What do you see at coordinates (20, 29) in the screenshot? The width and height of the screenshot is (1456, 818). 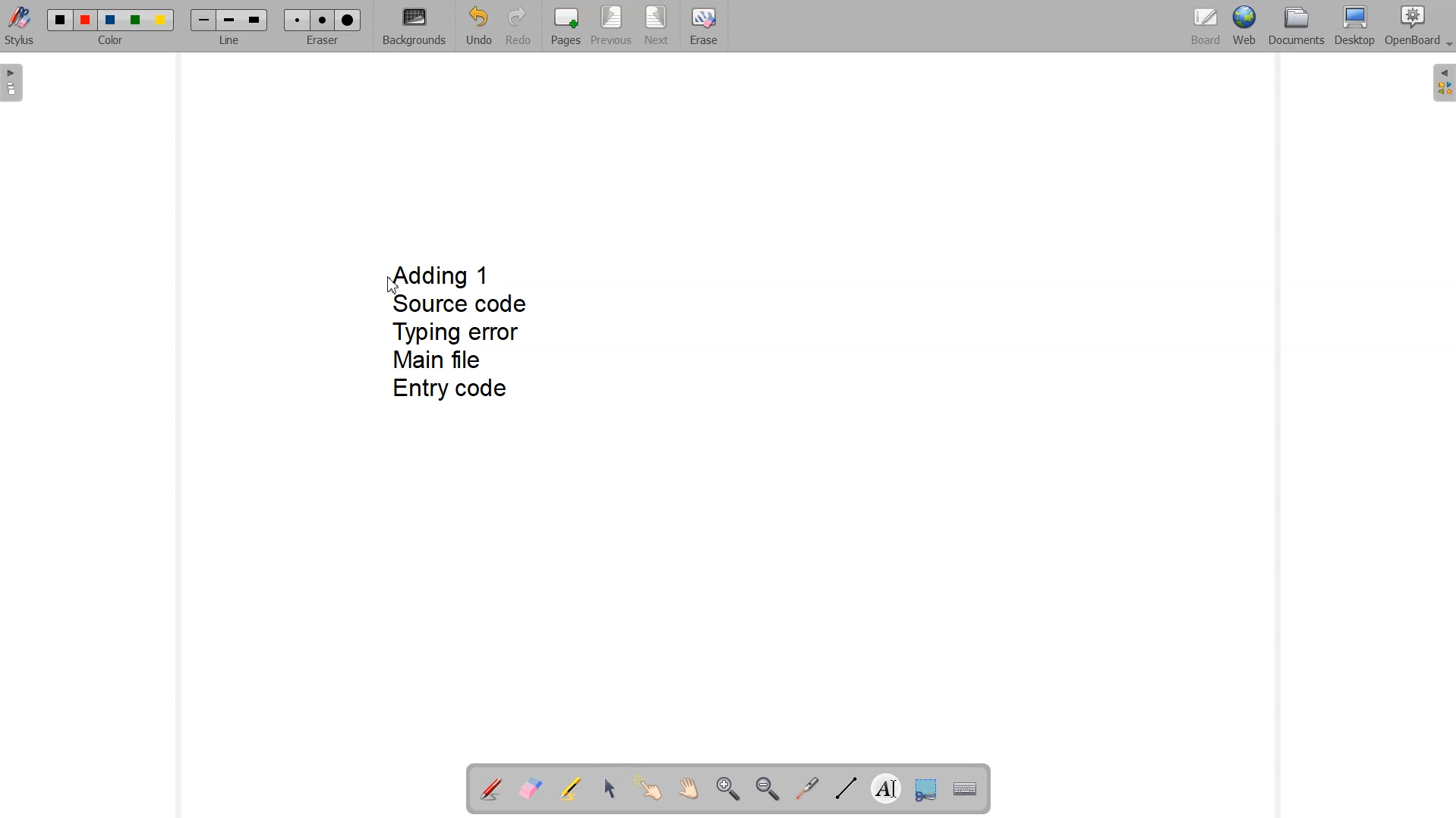 I see `Stylus` at bounding box center [20, 29].